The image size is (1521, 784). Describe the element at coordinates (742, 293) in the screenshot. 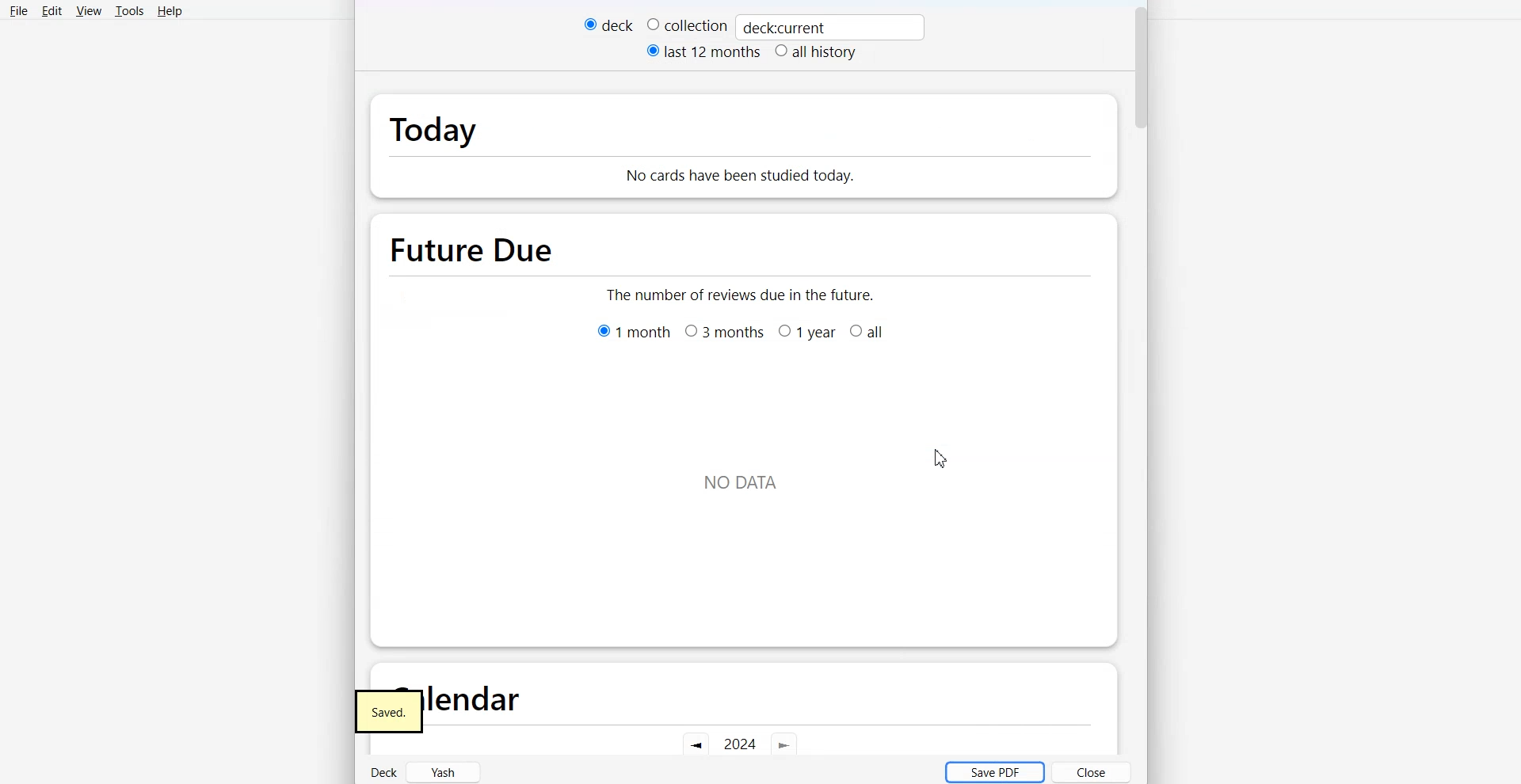

I see `The number of reviews due in the future.` at that location.